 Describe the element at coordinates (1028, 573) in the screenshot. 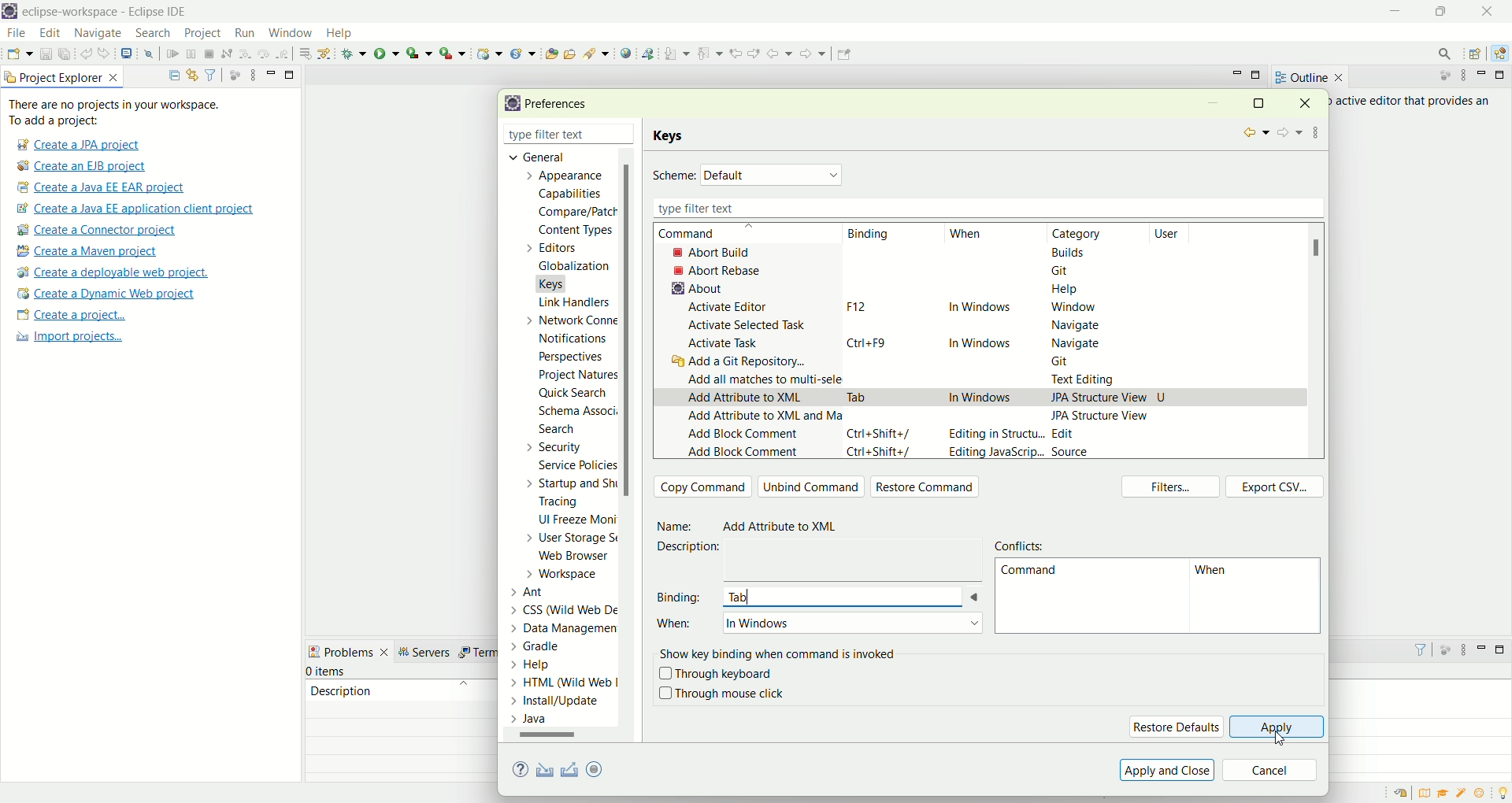

I see `command` at that location.